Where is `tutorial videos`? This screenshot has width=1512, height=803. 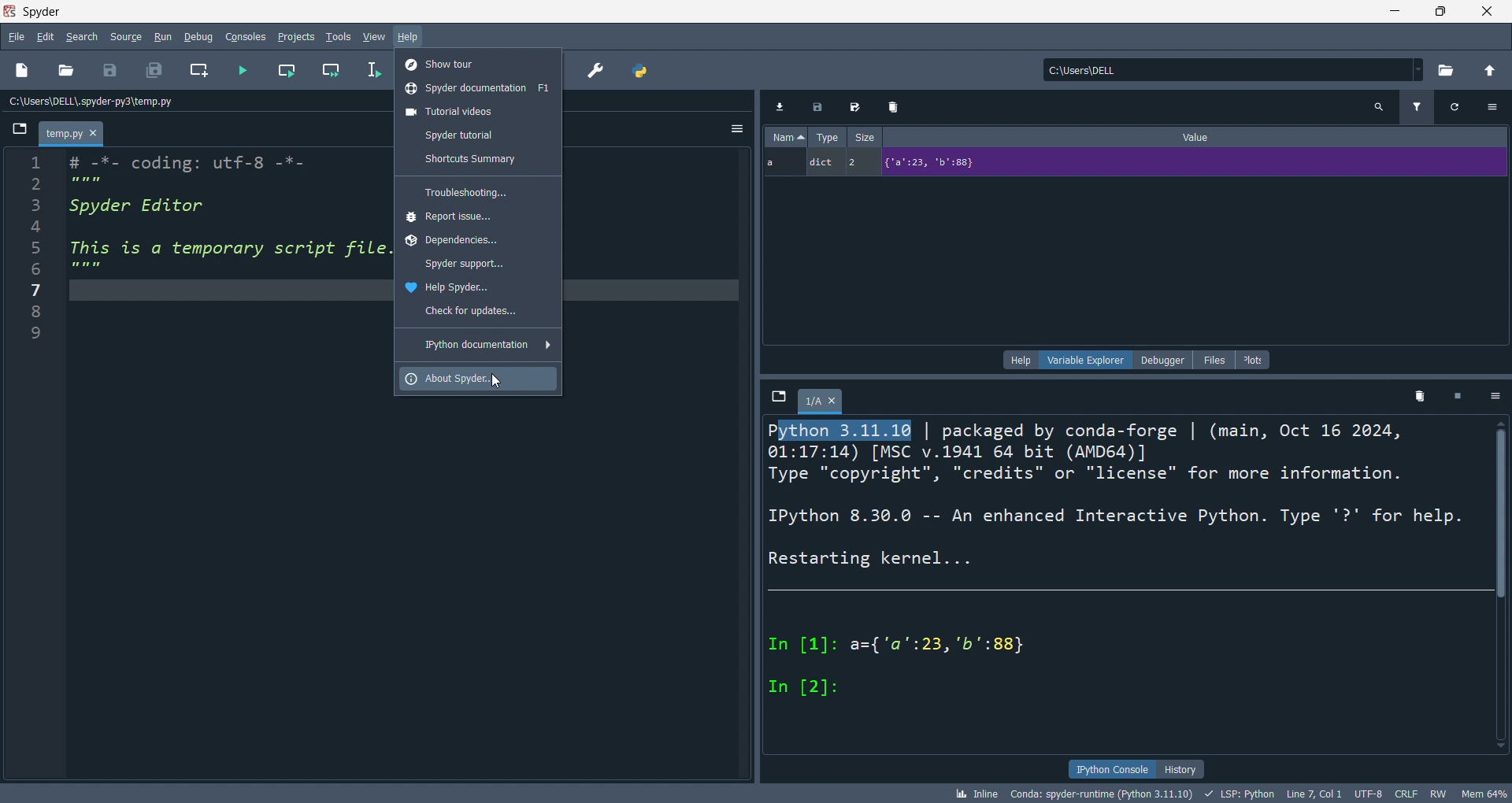 tutorial videos is located at coordinates (479, 109).